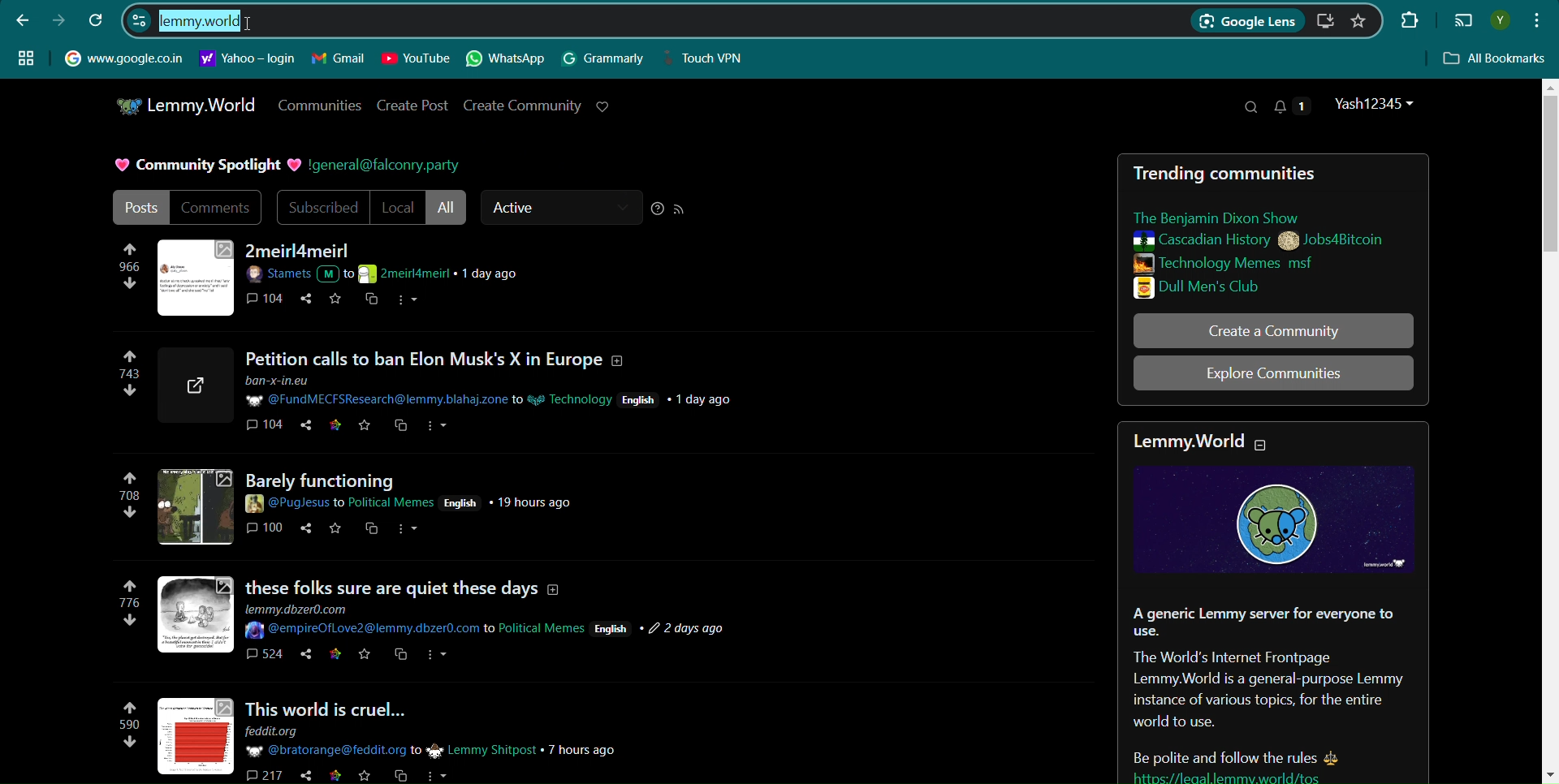 This screenshot has width=1559, height=784. I want to click on 708, so click(129, 498).